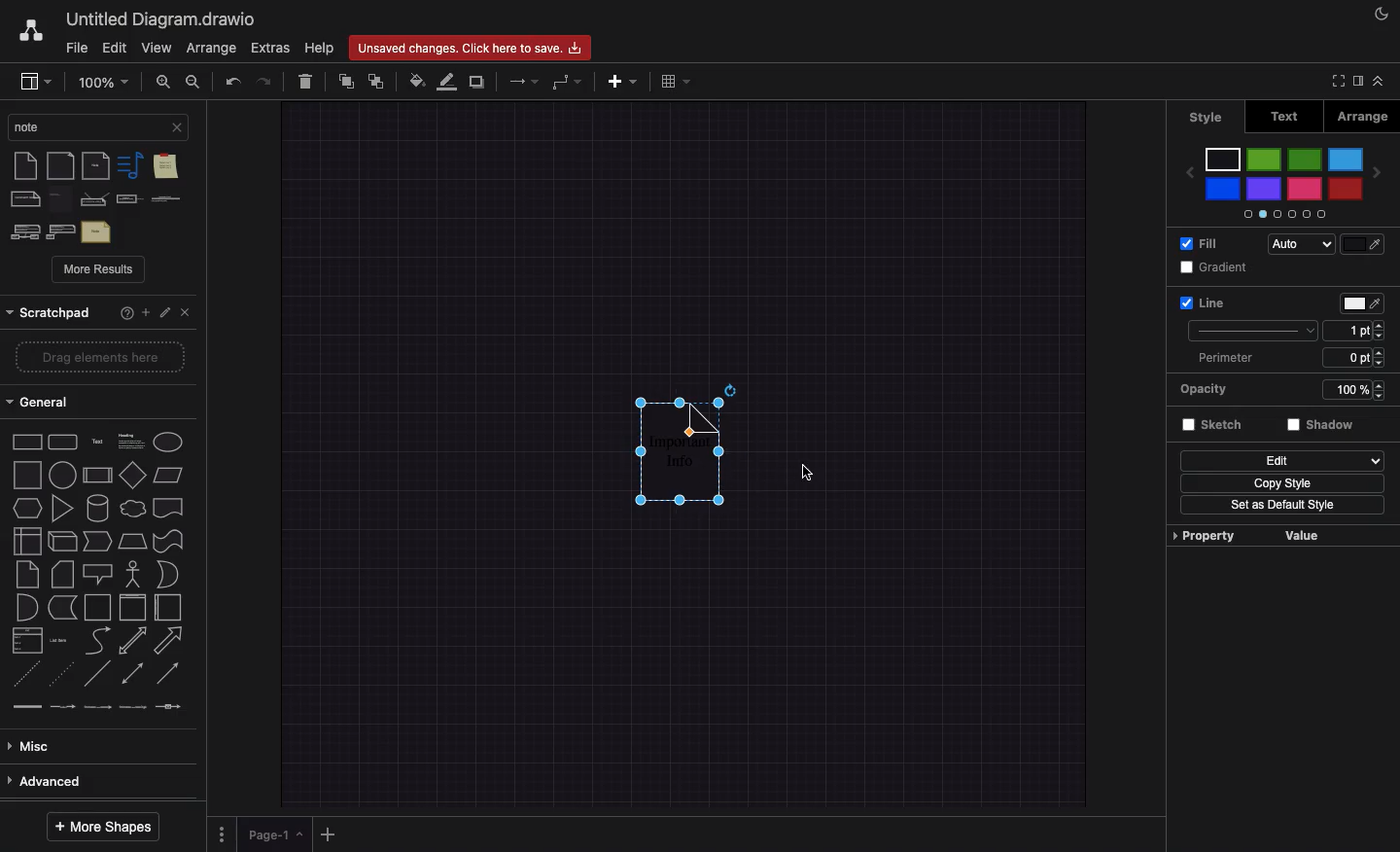  Describe the element at coordinates (1382, 352) in the screenshot. I see `increase perimeter` at that location.